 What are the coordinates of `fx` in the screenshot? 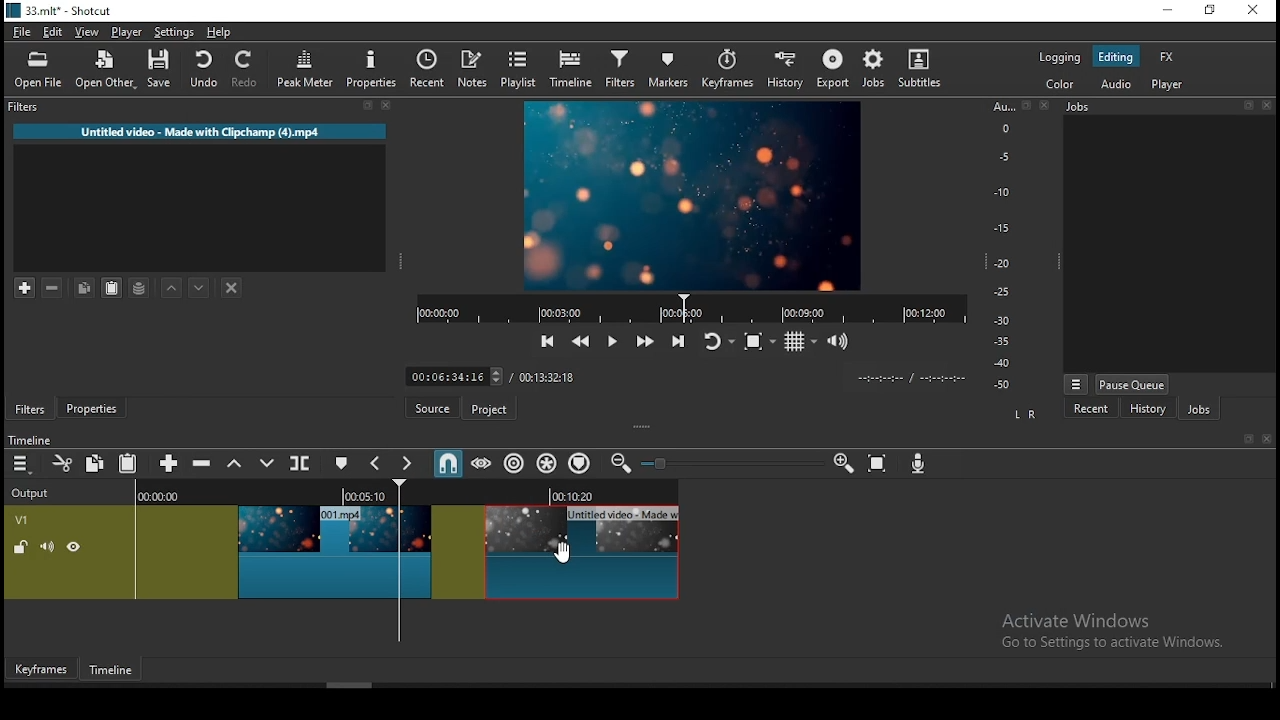 It's located at (1167, 58).